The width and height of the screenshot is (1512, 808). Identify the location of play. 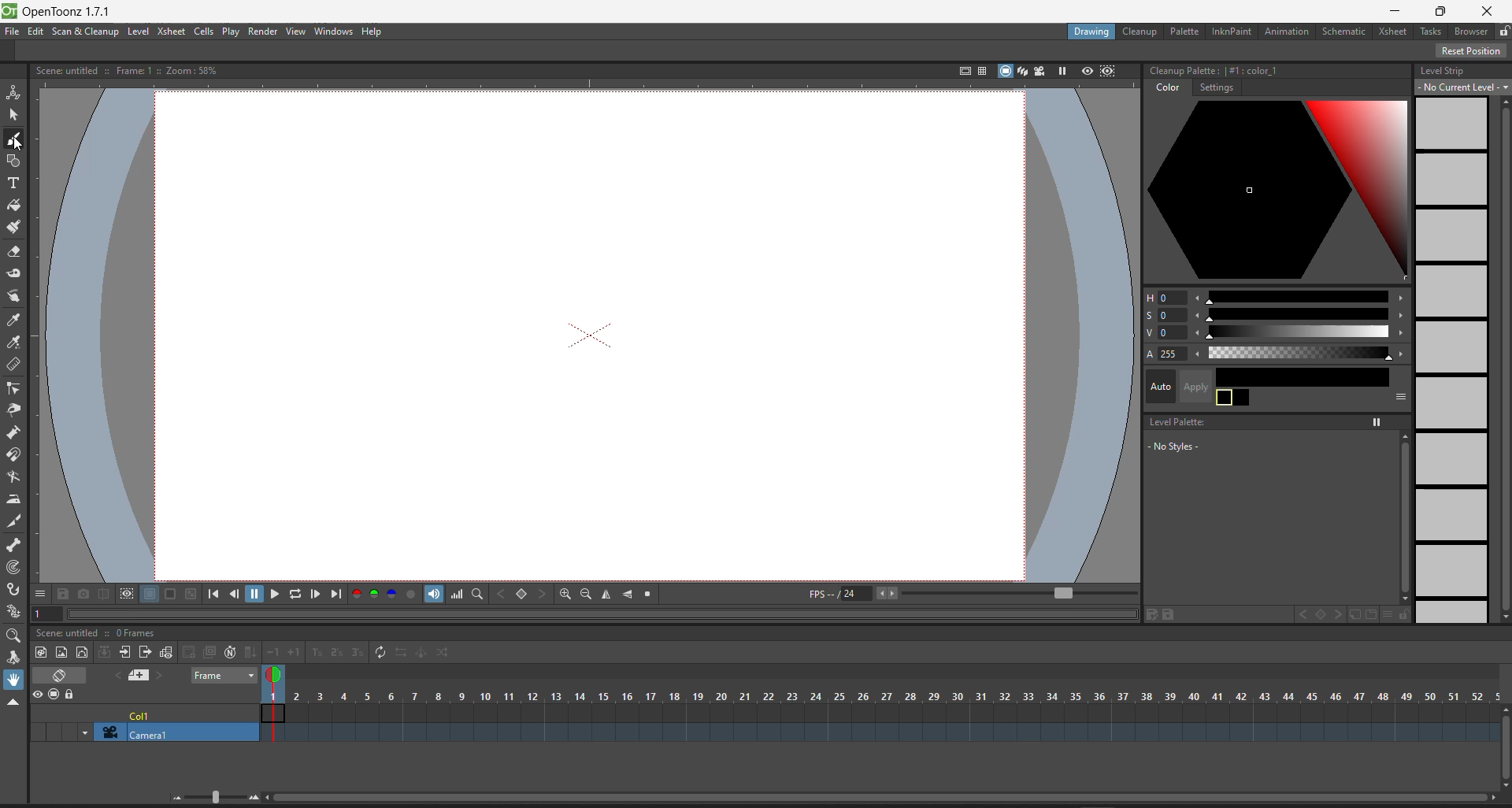
(232, 33).